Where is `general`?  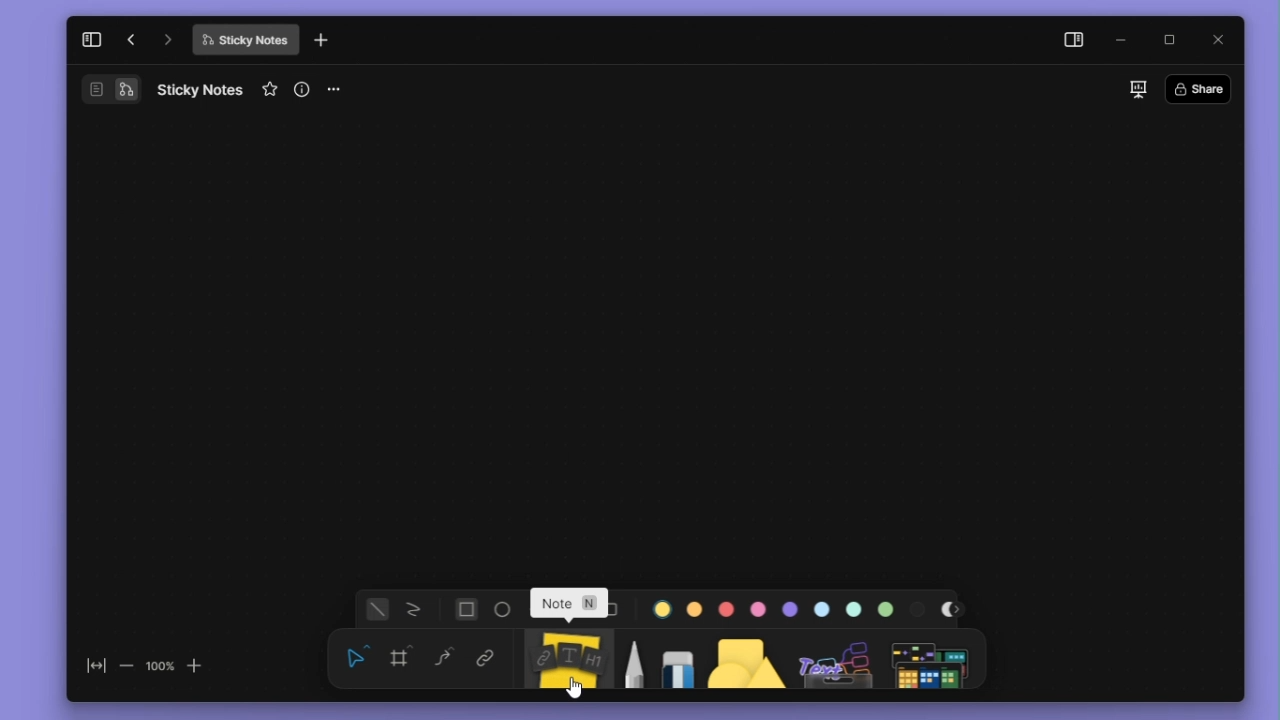
general is located at coordinates (381, 609).